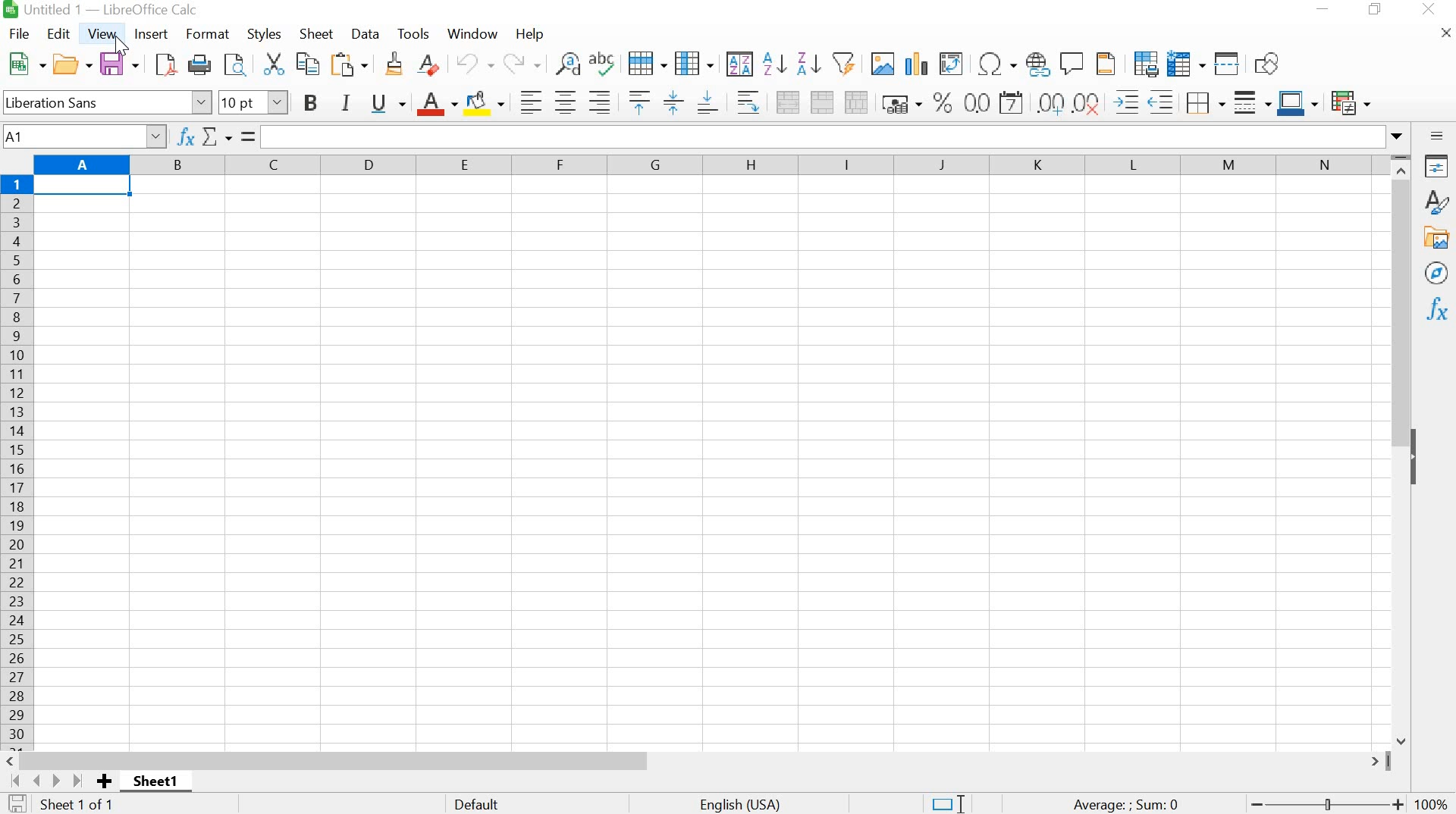 This screenshot has height=814, width=1456. What do you see at coordinates (367, 34) in the screenshot?
I see `DATA` at bounding box center [367, 34].